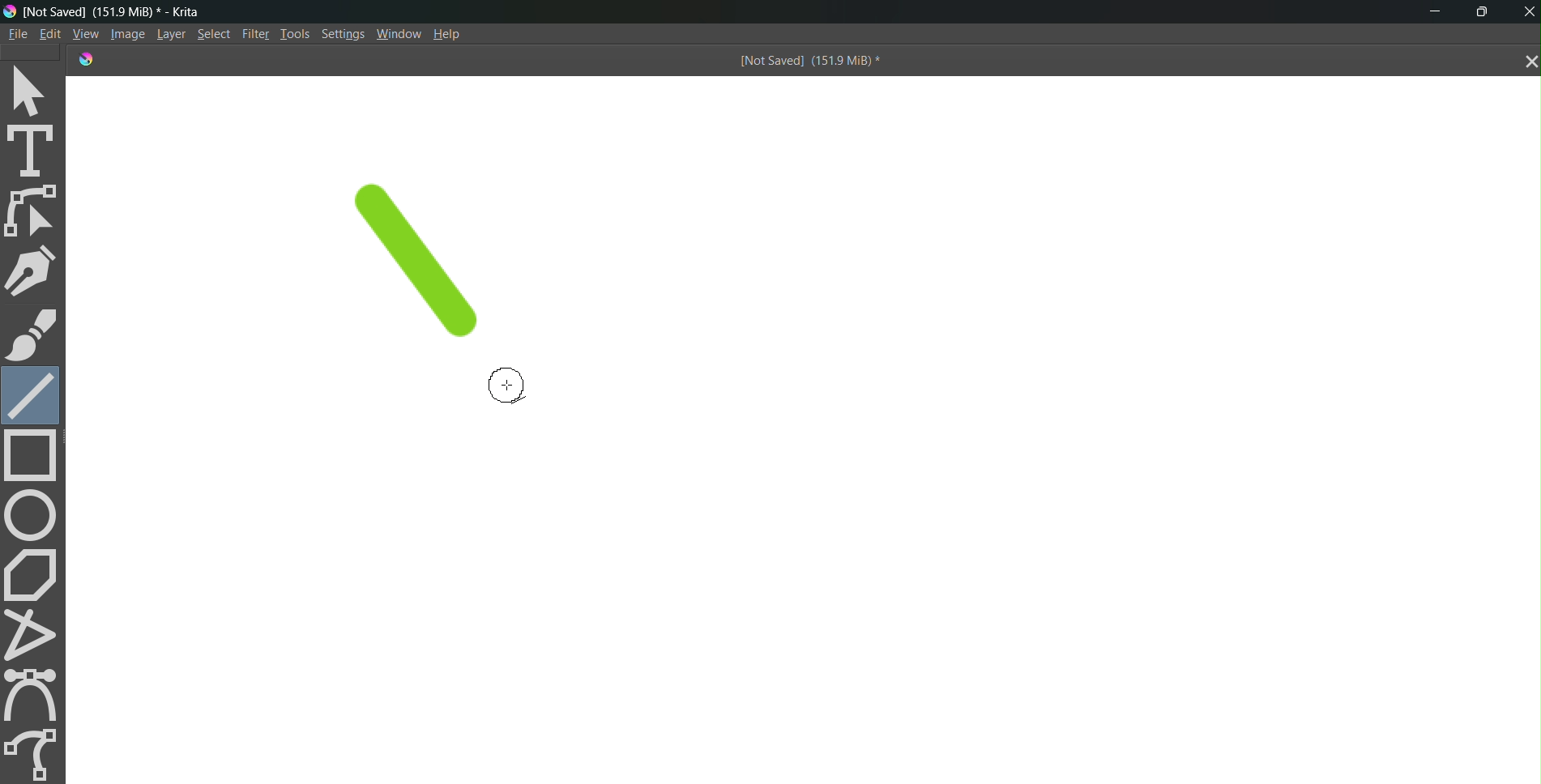 Image resolution: width=1541 pixels, height=784 pixels. What do you see at coordinates (31, 393) in the screenshot?
I see `line` at bounding box center [31, 393].